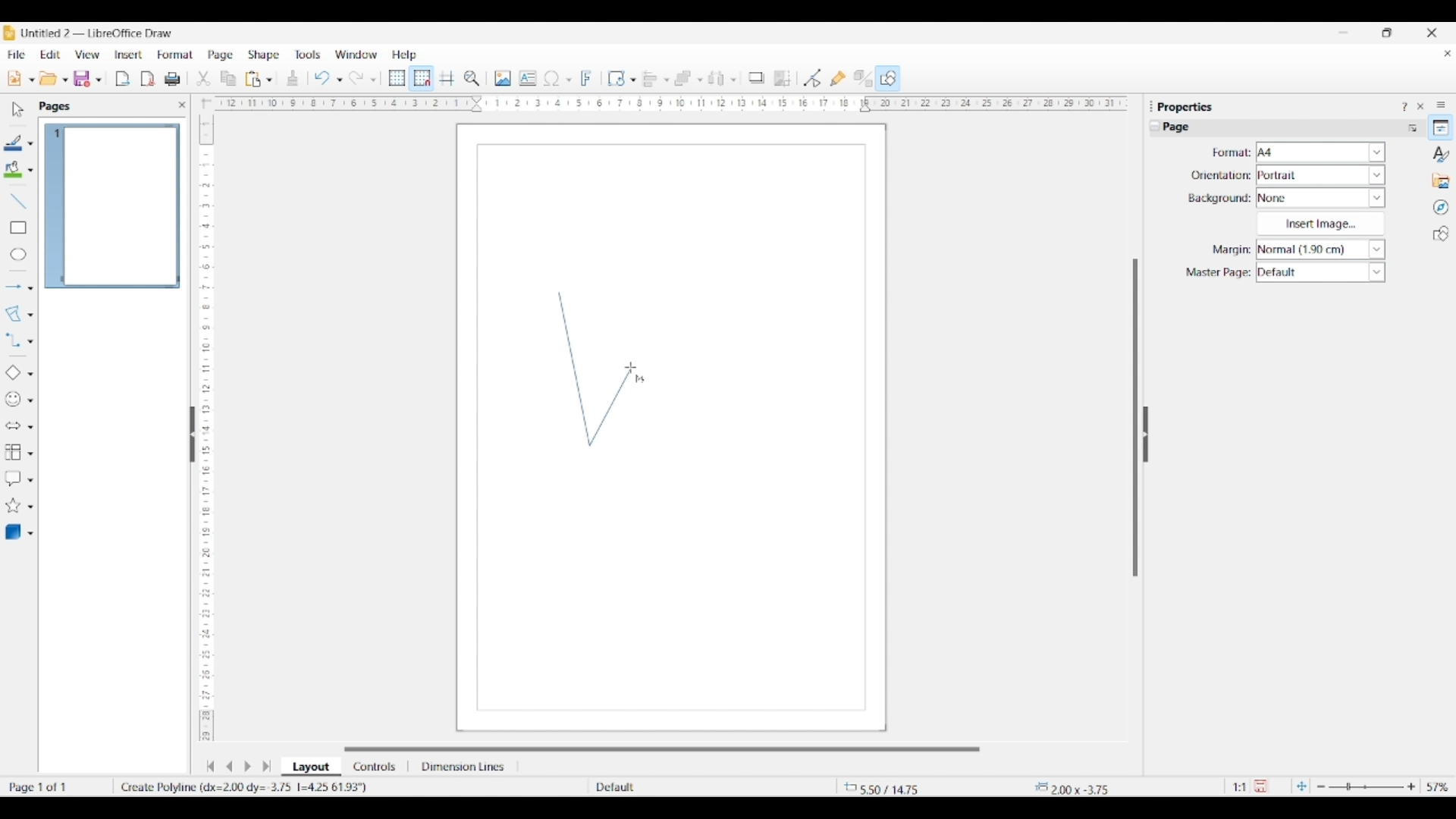  I want to click on Selected paste options, so click(253, 79).